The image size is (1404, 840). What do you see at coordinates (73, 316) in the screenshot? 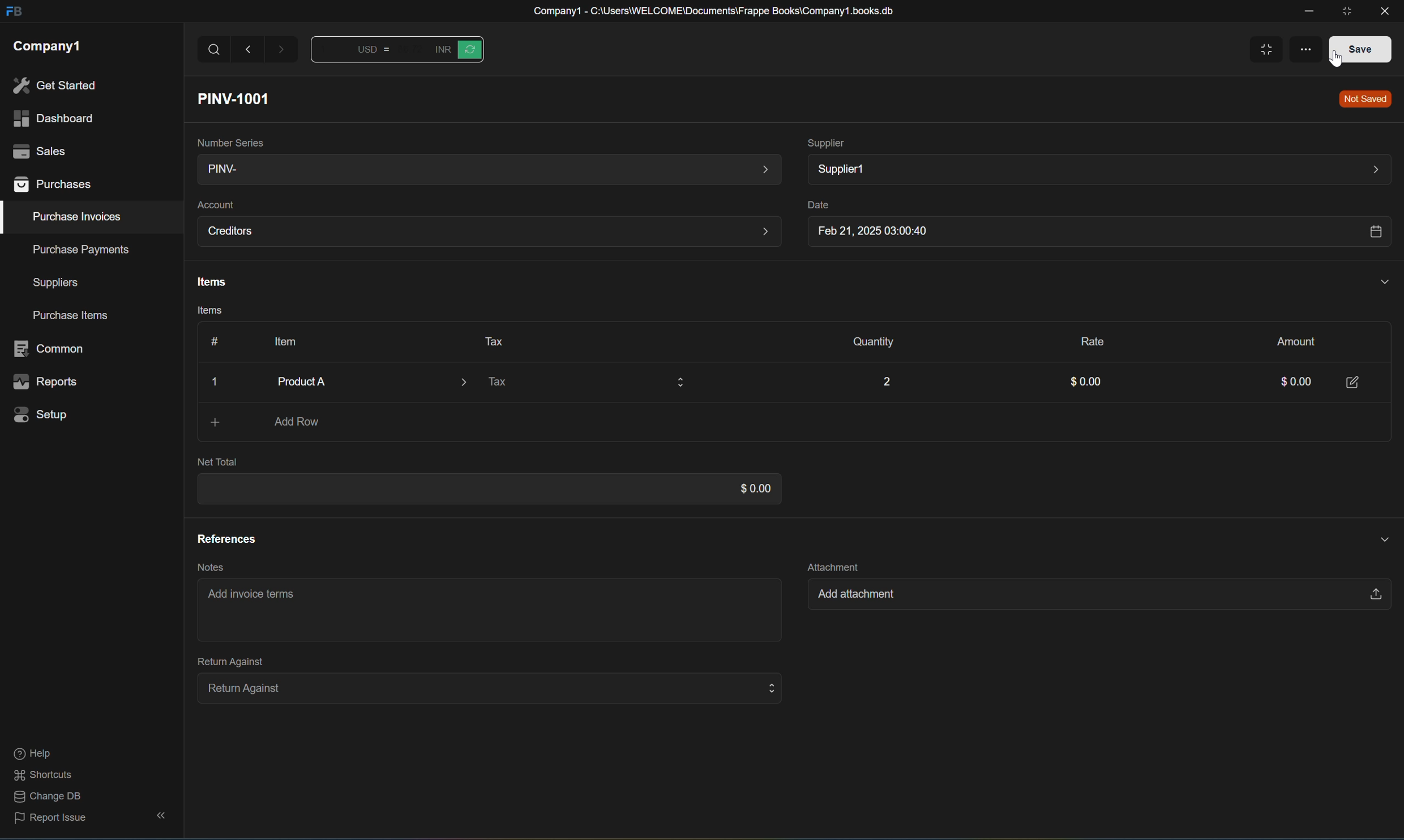
I see `purchase items` at bounding box center [73, 316].